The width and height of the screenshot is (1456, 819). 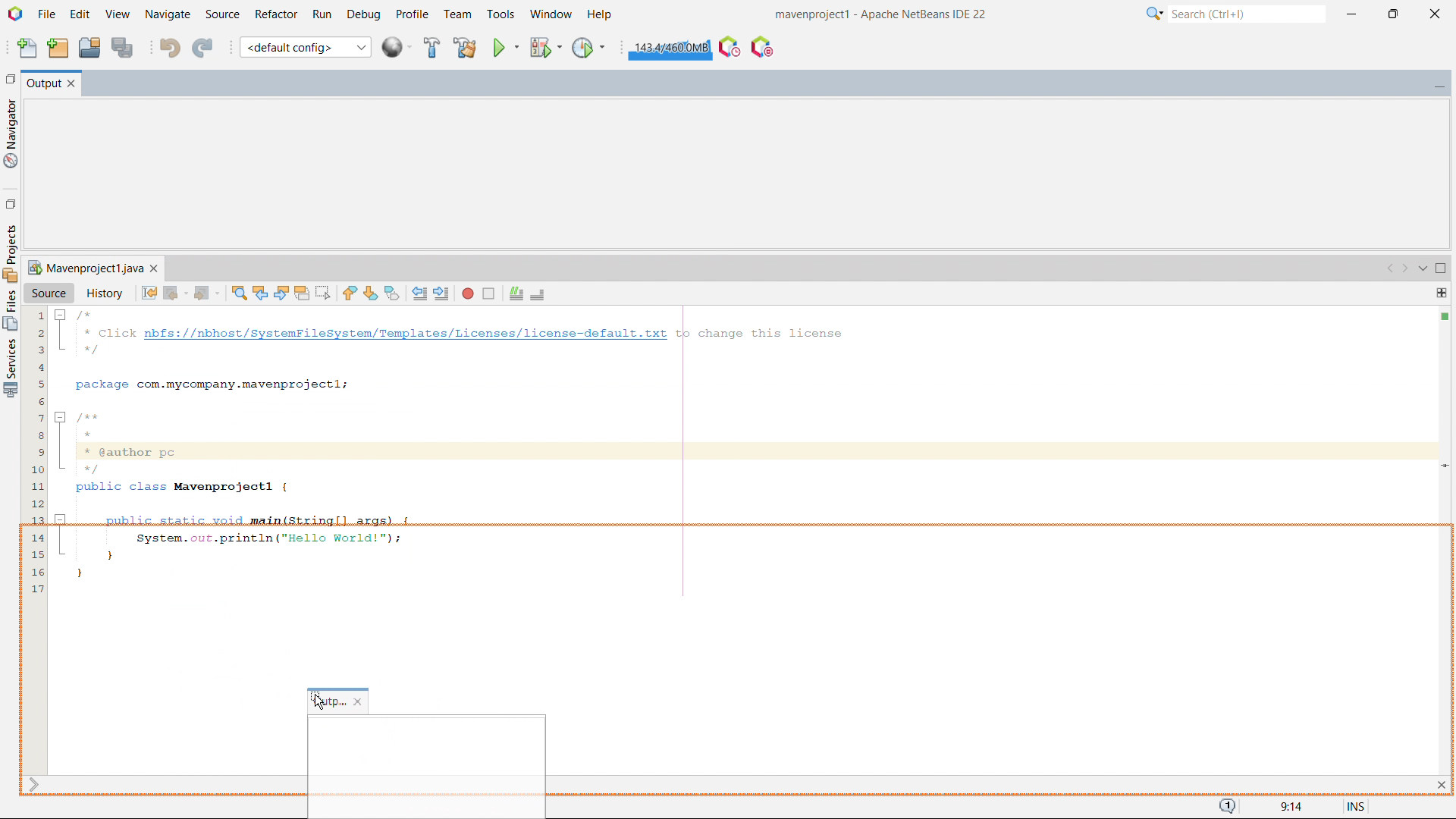 I want to click on profile, so click(x=412, y=15).